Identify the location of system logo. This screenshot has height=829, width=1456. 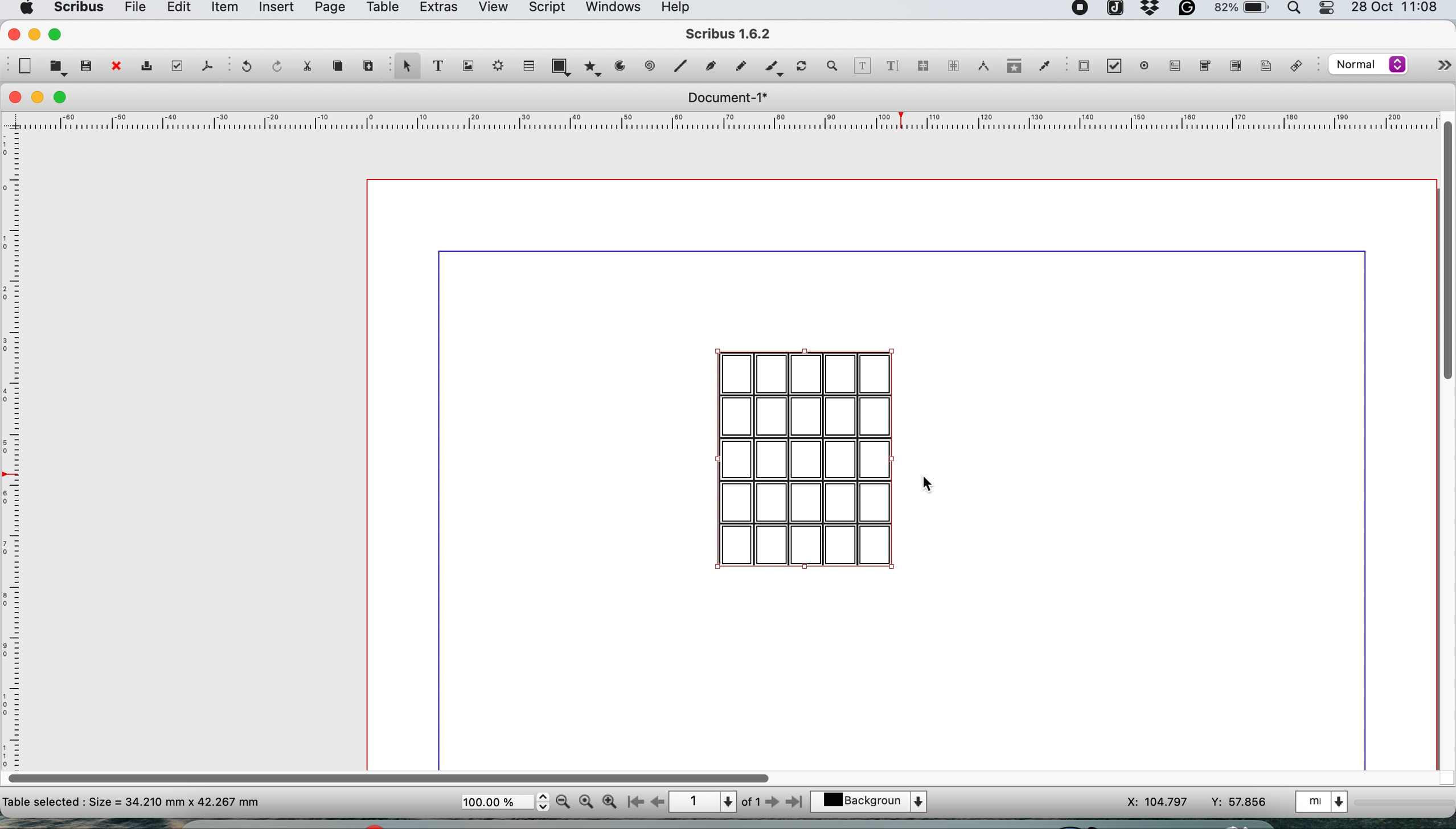
(24, 9).